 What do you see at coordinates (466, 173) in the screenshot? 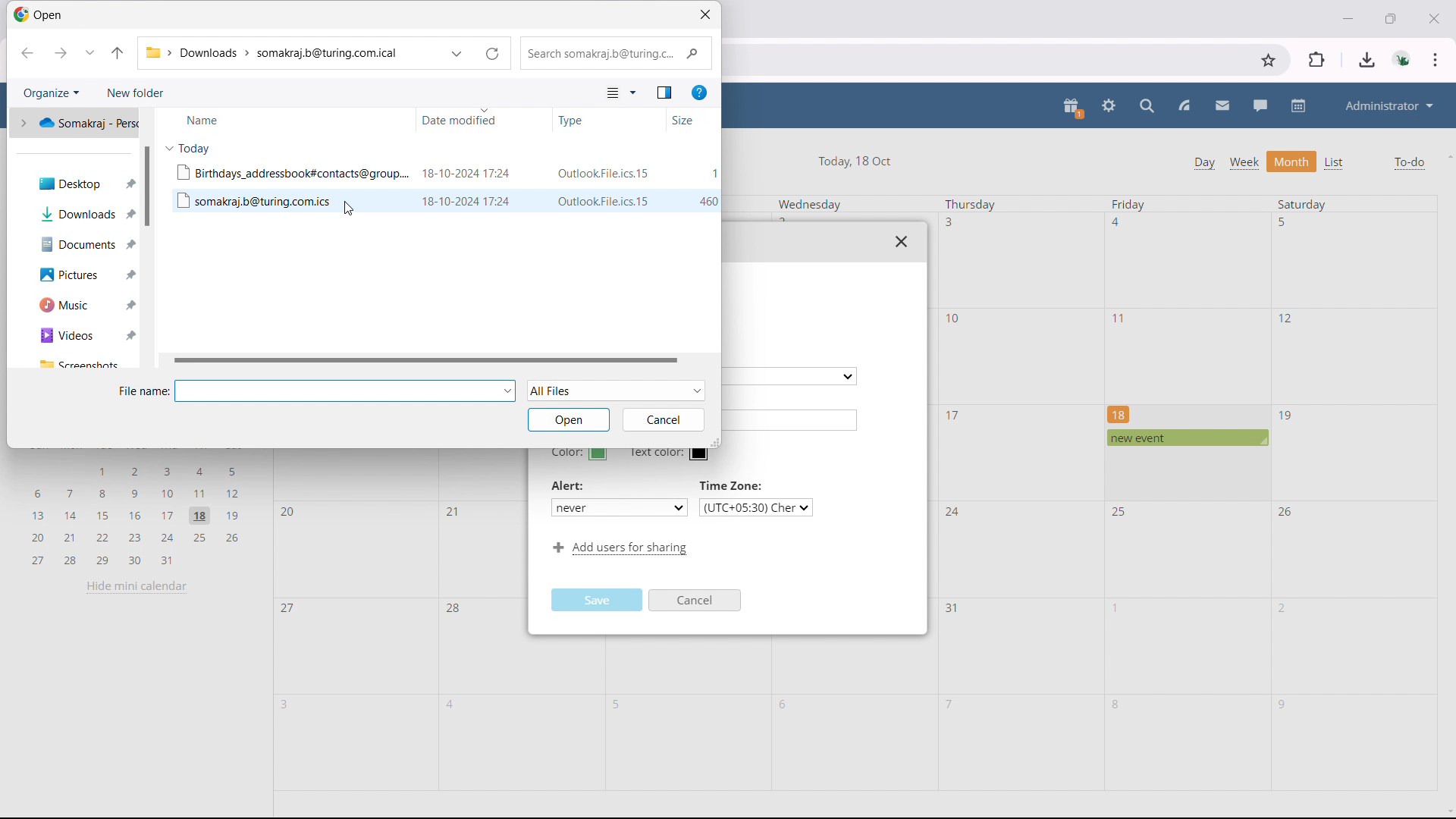
I see `18-10-2024 17:24` at bounding box center [466, 173].